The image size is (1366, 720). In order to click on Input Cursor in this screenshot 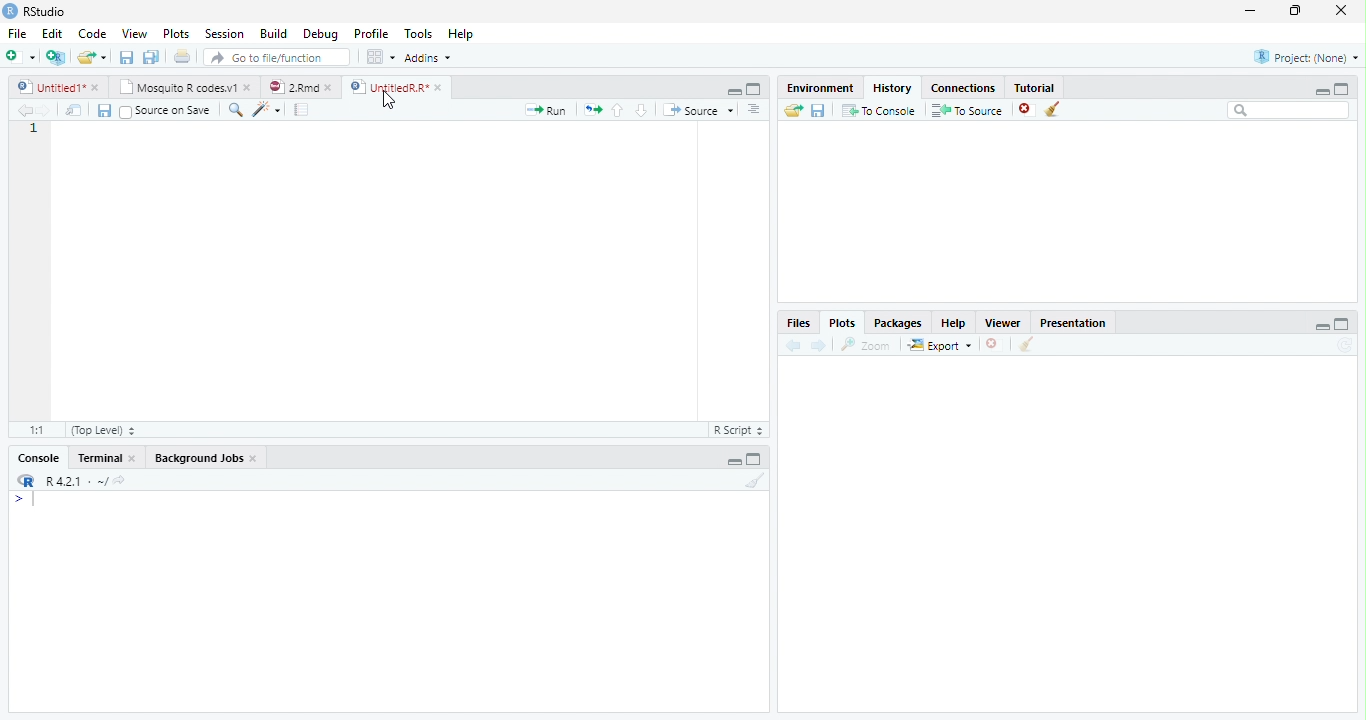, I will do `click(41, 496)`.